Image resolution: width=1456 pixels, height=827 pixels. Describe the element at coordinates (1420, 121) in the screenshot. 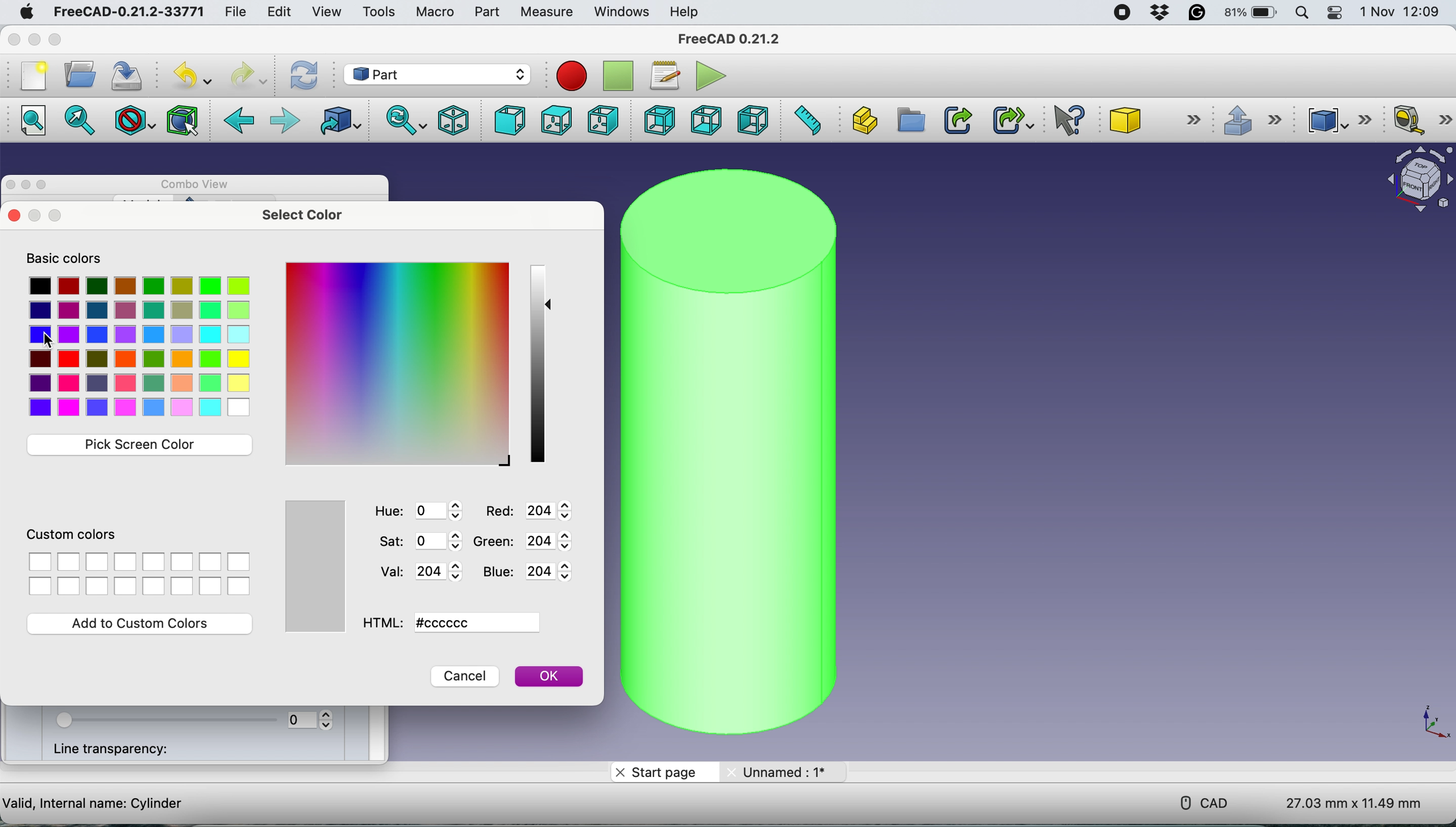

I see `measure linear` at that location.